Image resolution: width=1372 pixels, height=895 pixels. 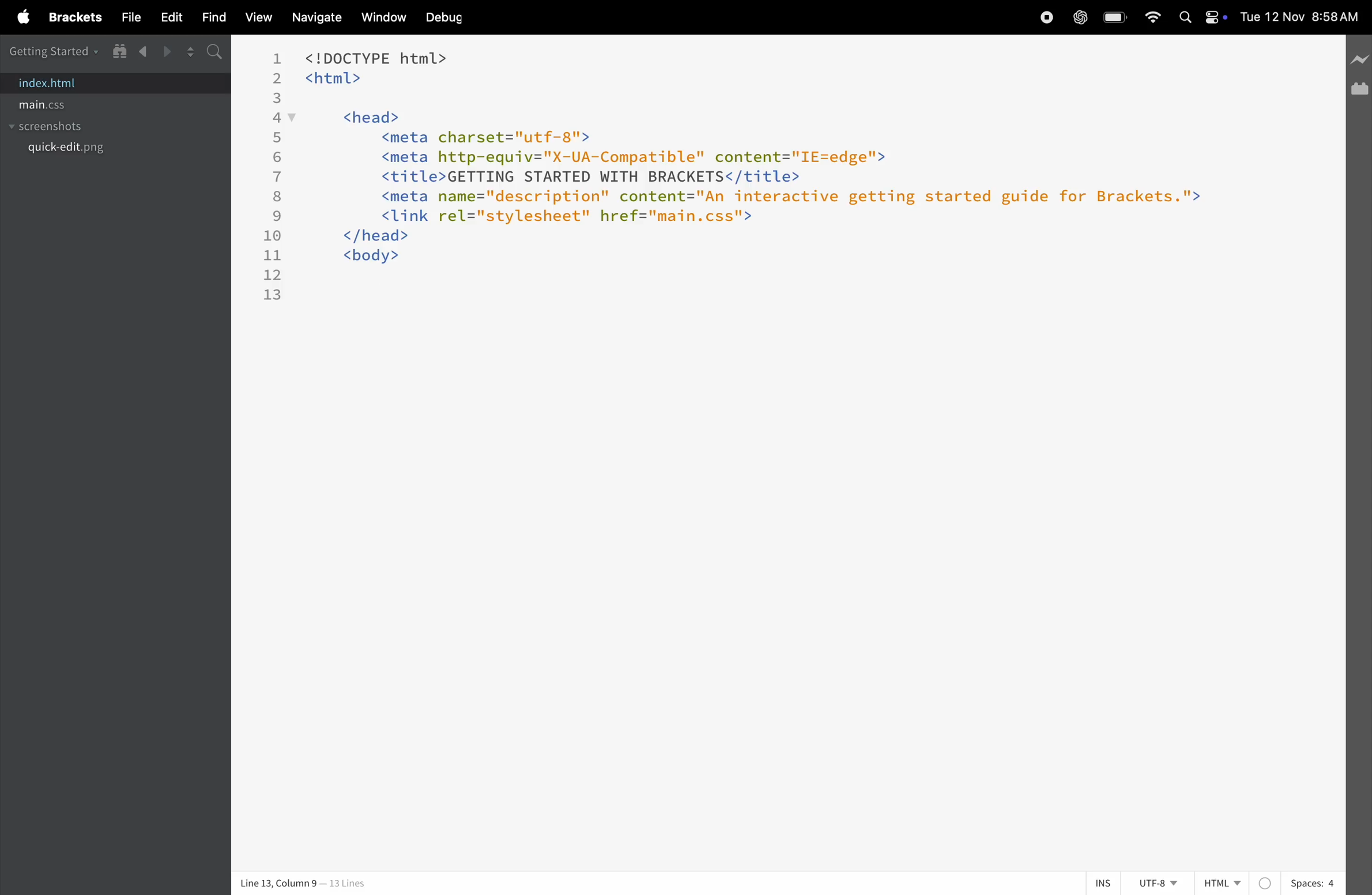 What do you see at coordinates (1103, 883) in the screenshot?
I see `ins` at bounding box center [1103, 883].